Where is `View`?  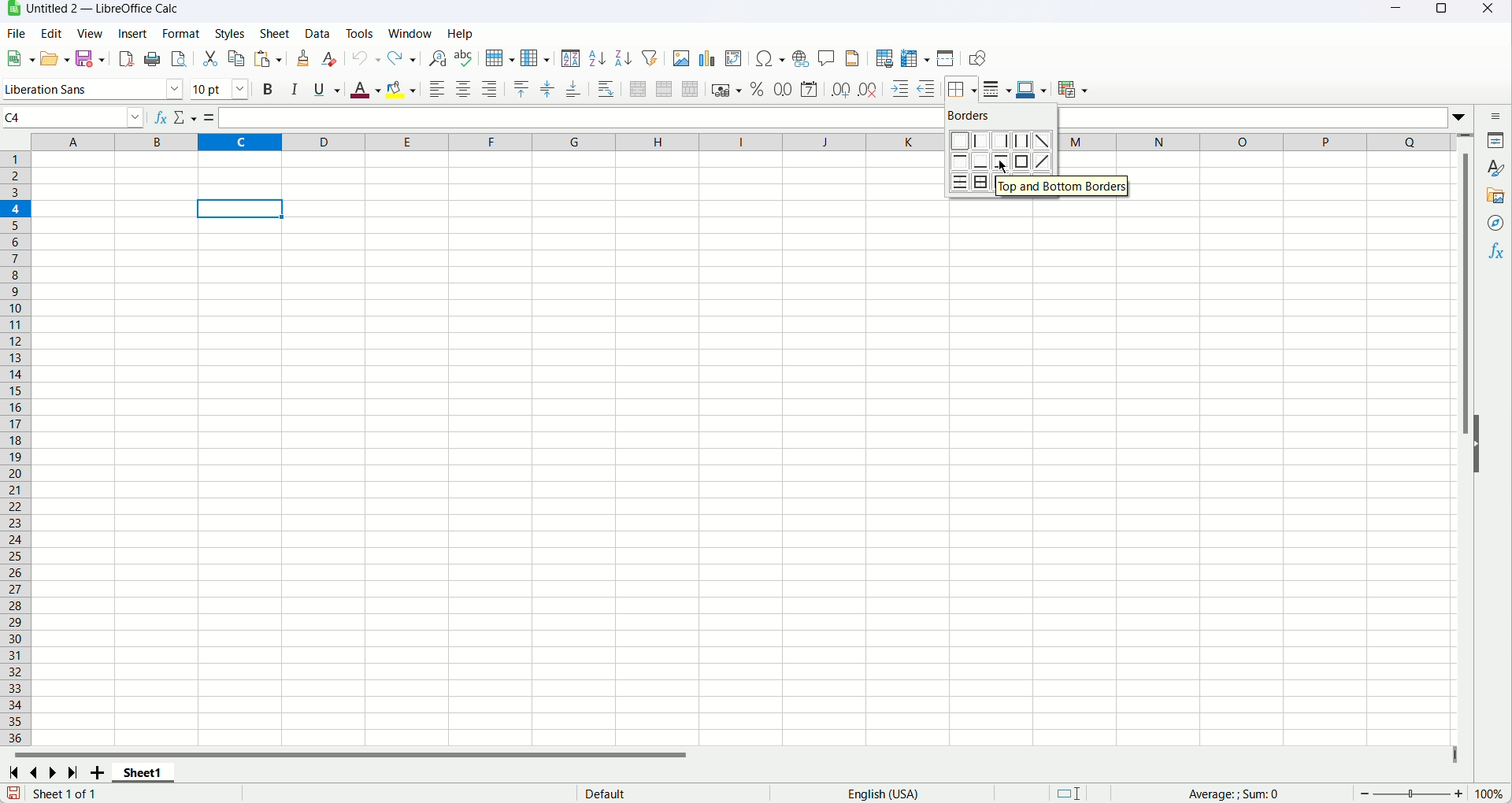 View is located at coordinates (90, 35).